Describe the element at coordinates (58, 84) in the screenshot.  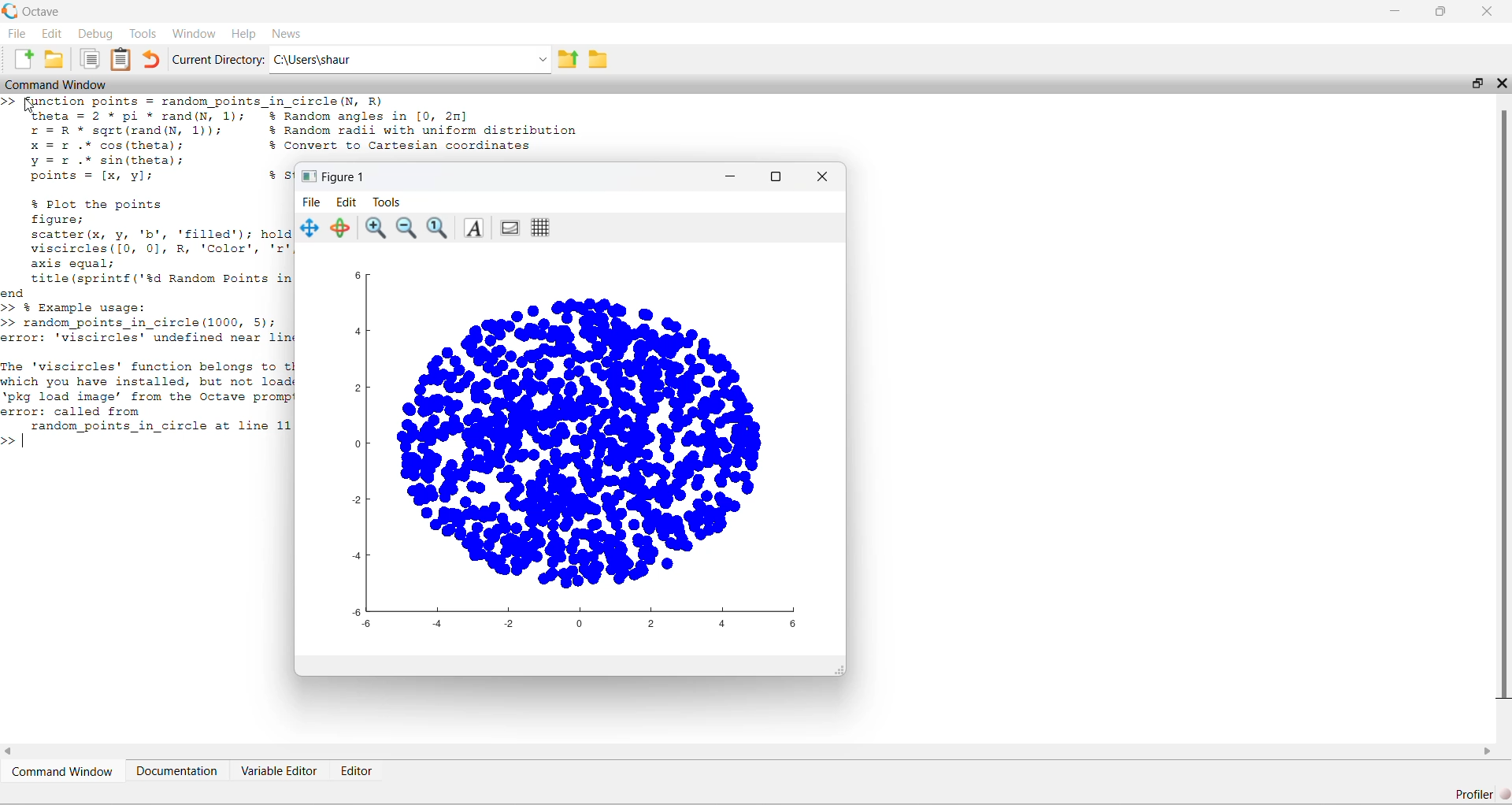
I see `Command Window` at that location.